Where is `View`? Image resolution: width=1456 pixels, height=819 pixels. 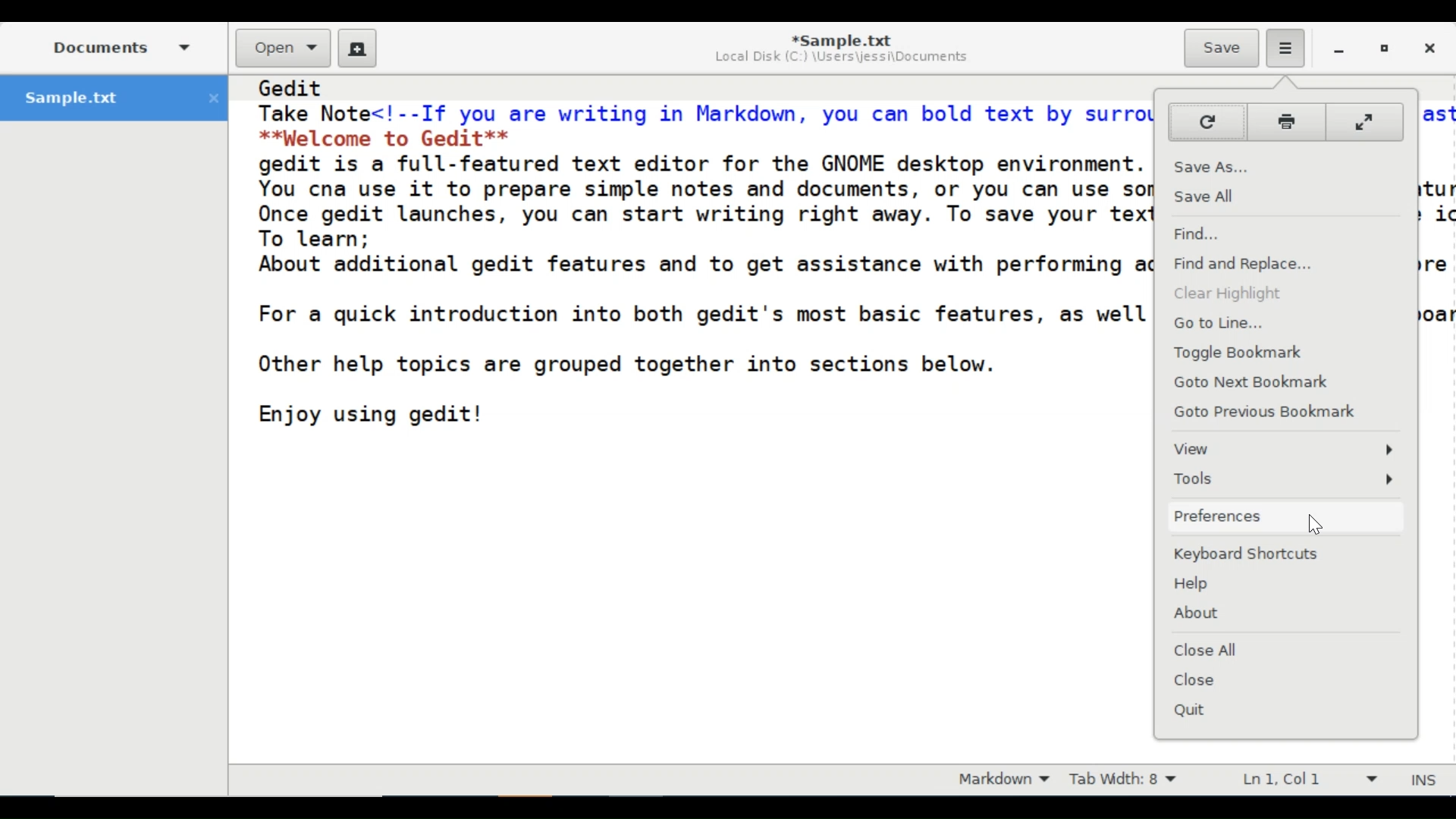 View is located at coordinates (1282, 450).